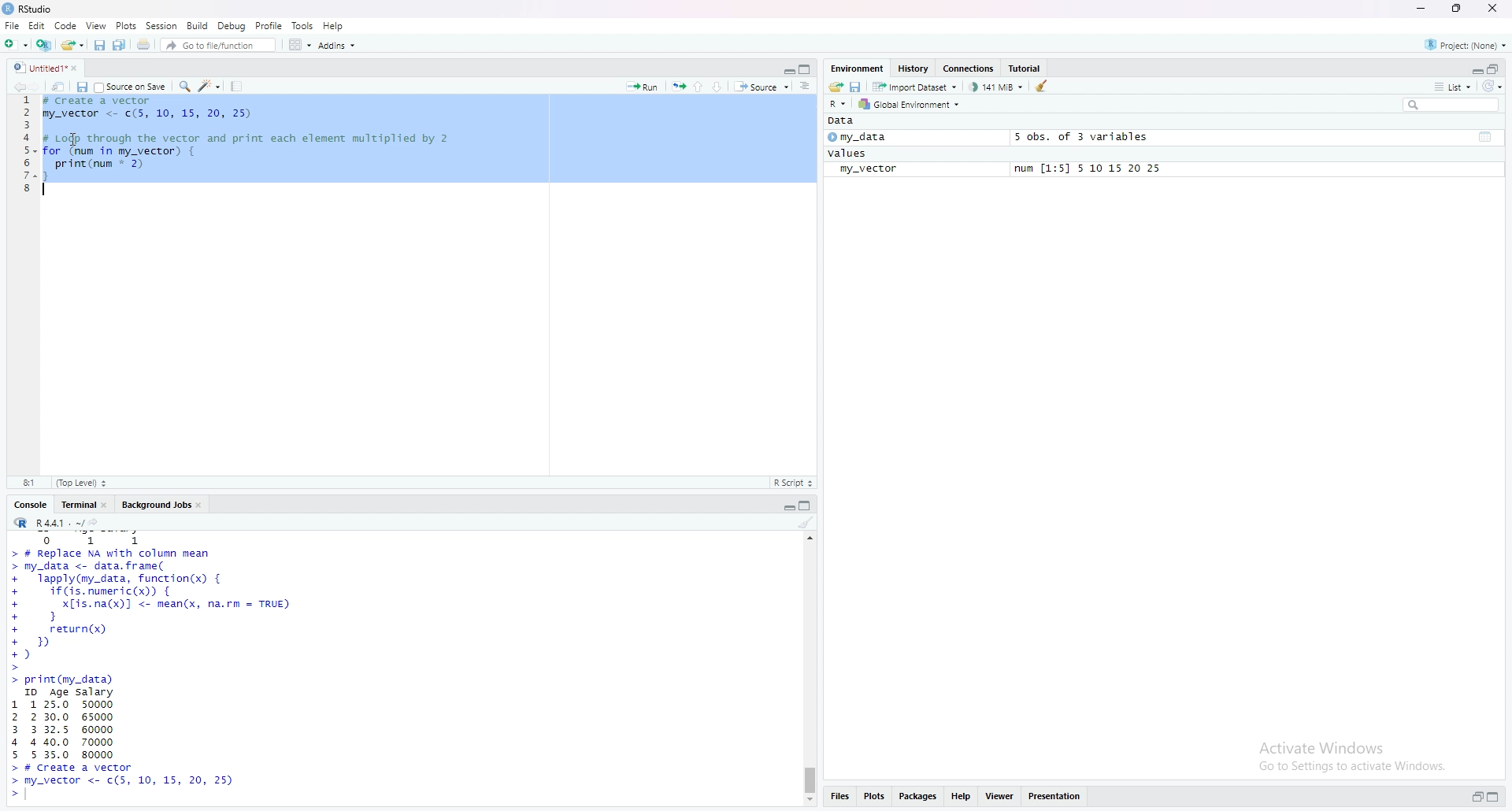 The image size is (1512, 811). What do you see at coordinates (28, 483) in the screenshot?
I see `4:1` at bounding box center [28, 483].